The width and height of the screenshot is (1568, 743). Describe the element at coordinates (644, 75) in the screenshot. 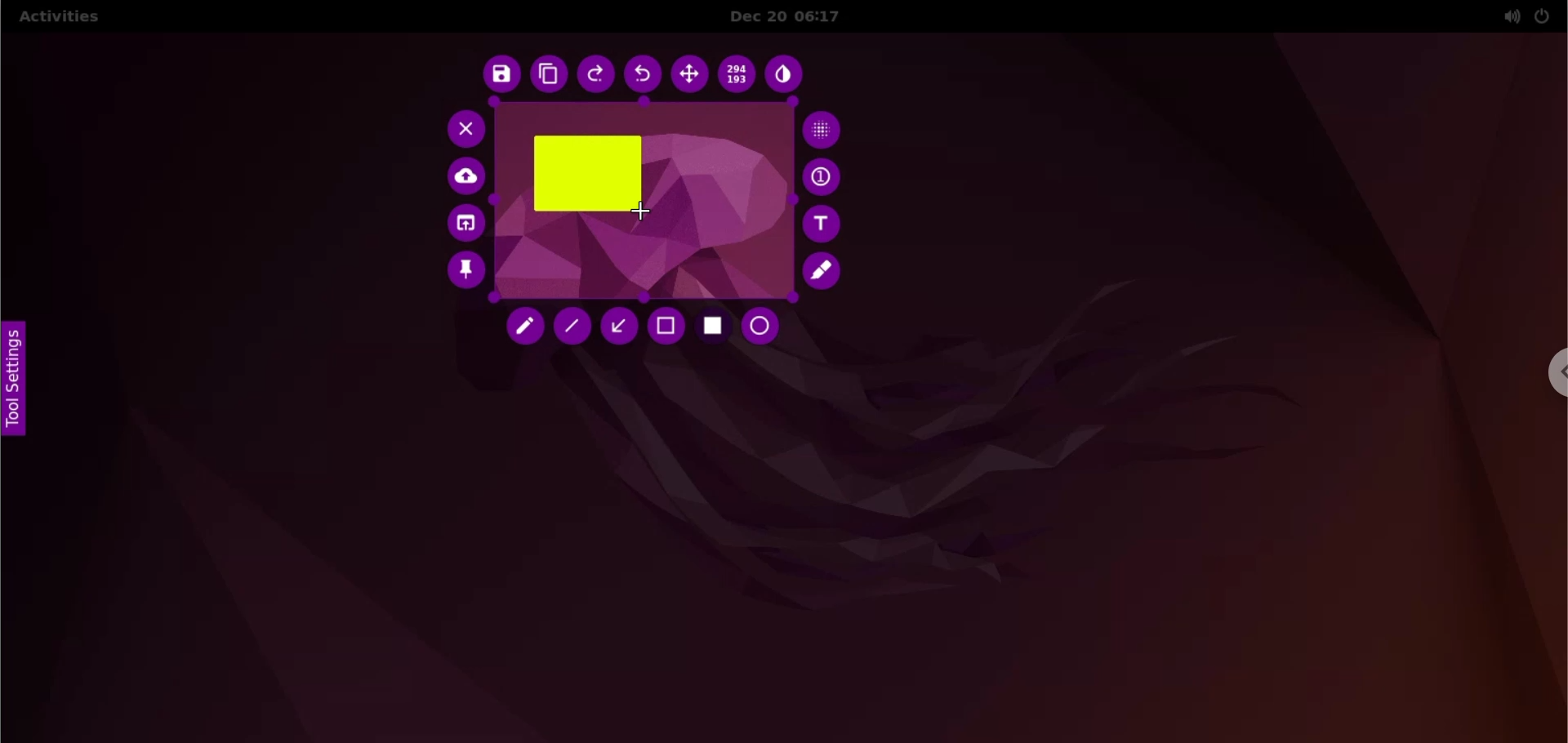

I see `undo ` at that location.